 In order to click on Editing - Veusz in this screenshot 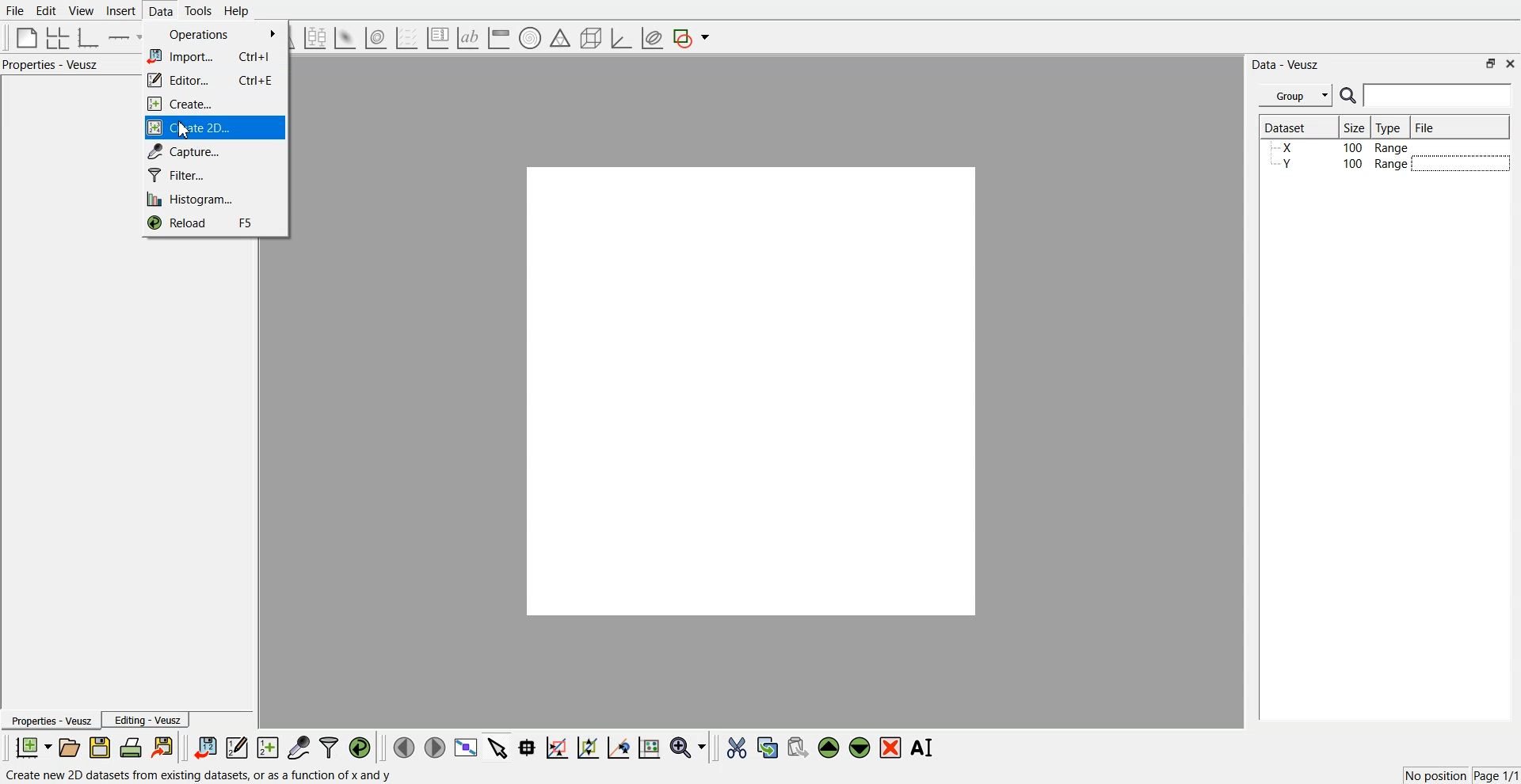, I will do `click(146, 719)`.